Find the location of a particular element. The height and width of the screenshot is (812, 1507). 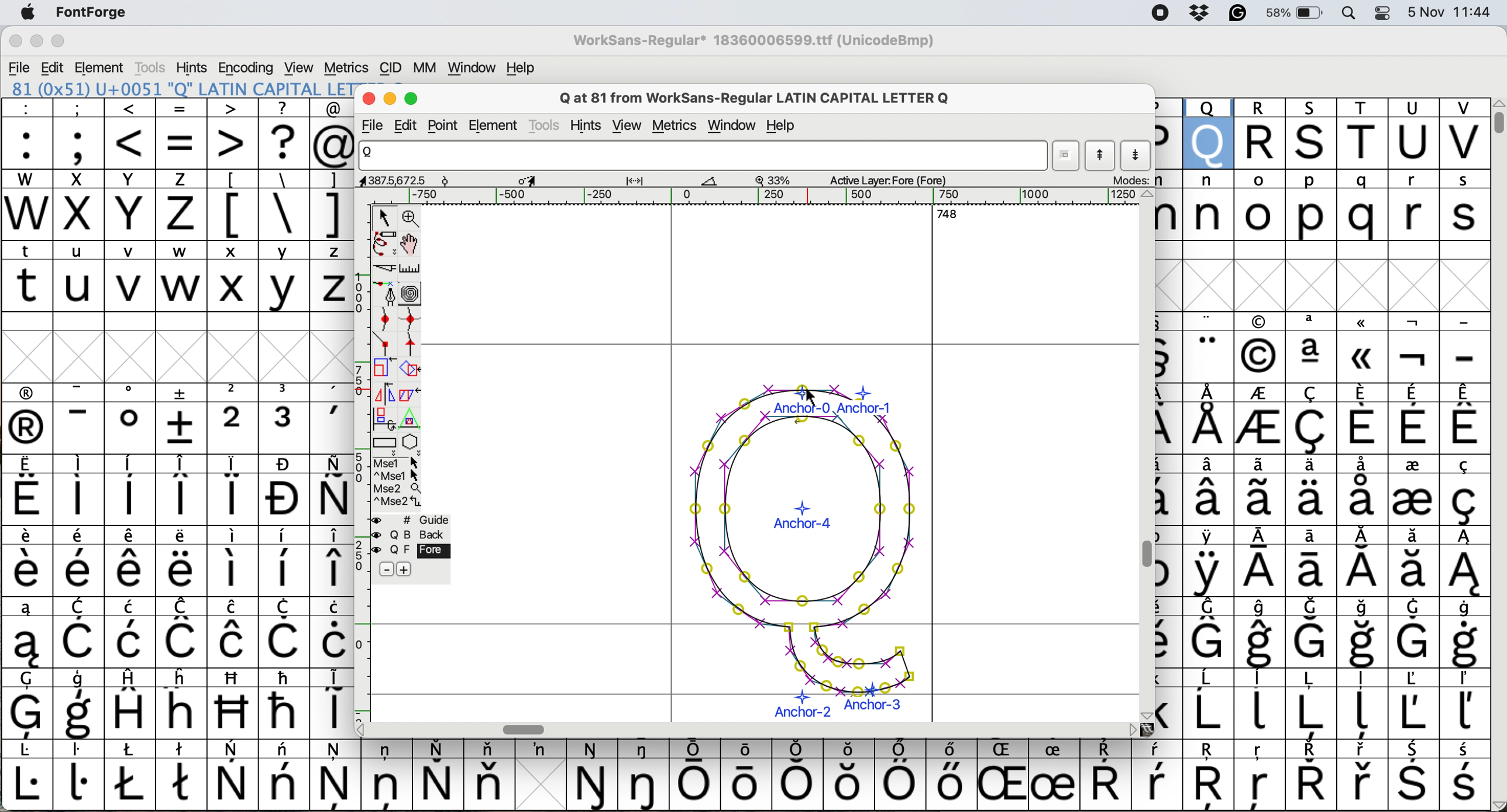

star or polygon is located at coordinates (412, 443).